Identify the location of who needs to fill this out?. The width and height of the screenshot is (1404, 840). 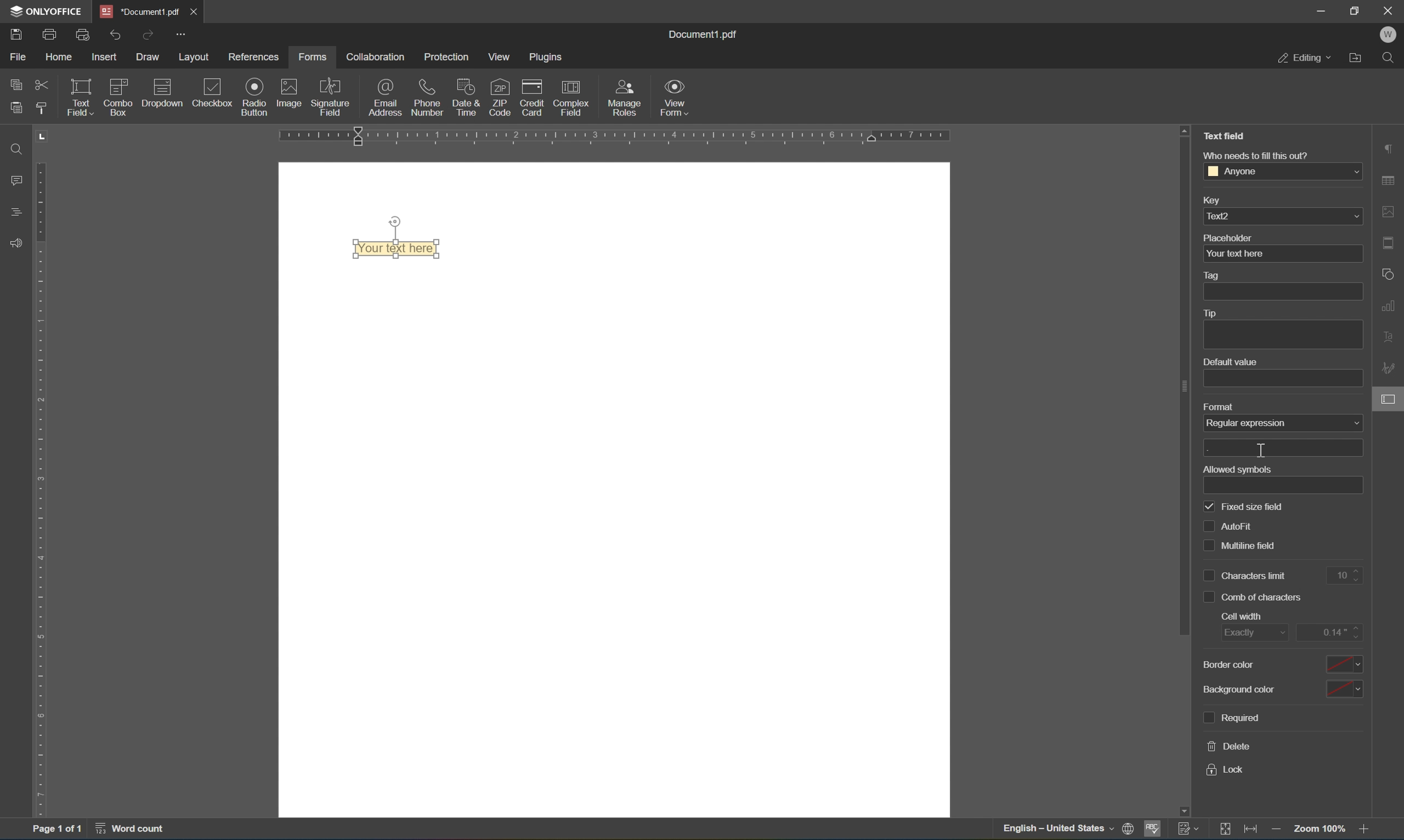
(1258, 155).